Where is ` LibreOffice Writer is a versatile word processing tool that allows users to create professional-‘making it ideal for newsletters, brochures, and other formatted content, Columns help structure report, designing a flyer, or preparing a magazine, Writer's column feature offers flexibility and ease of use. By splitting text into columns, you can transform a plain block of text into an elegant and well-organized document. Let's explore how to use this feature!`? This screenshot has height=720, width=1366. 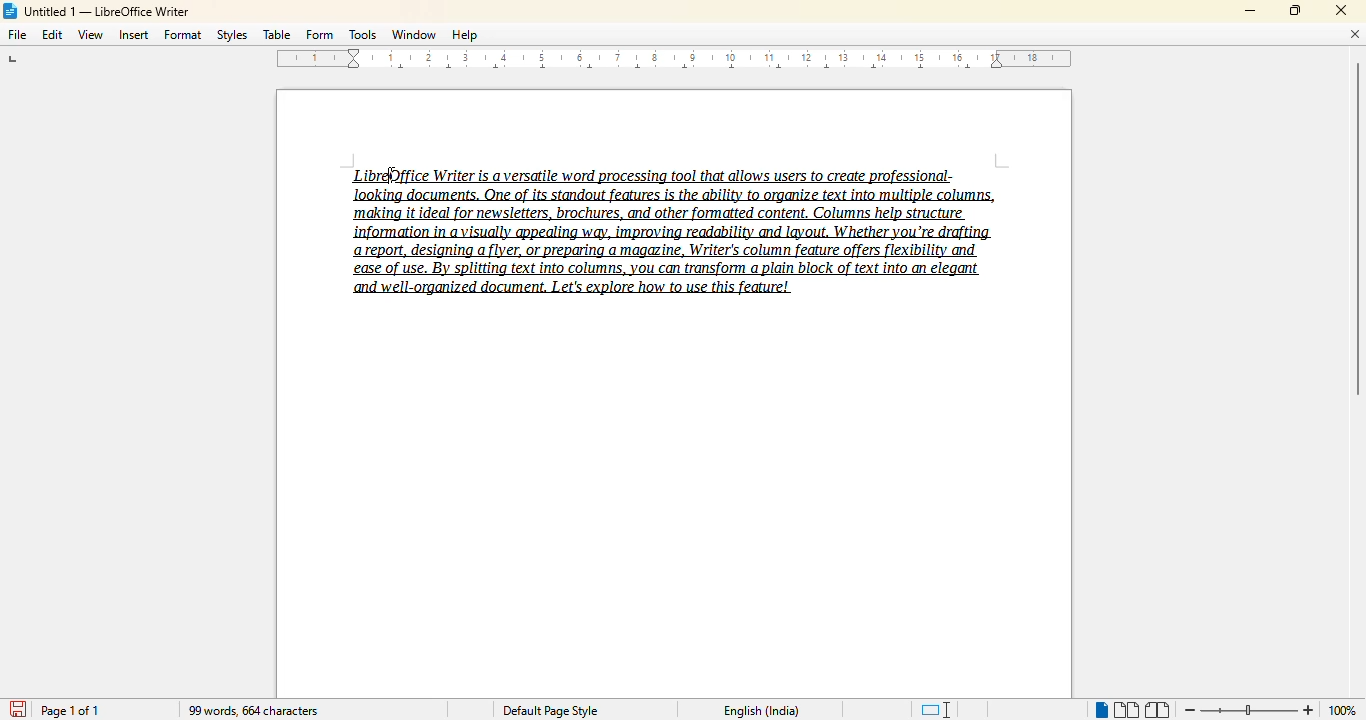  LibreOffice Writer is a versatile word processing tool that allows users to create professional-‘making it ideal for newsletters, brochures, and other formatted content, Columns help structure report, designing a flyer, or preparing a magazine, Writer's column feature offers flexibility and ease of use. By splitting text into columns, you can transform a plain block of text into an elegant and well-organized document. Let's explore how to use this feature! is located at coordinates (692, 234).